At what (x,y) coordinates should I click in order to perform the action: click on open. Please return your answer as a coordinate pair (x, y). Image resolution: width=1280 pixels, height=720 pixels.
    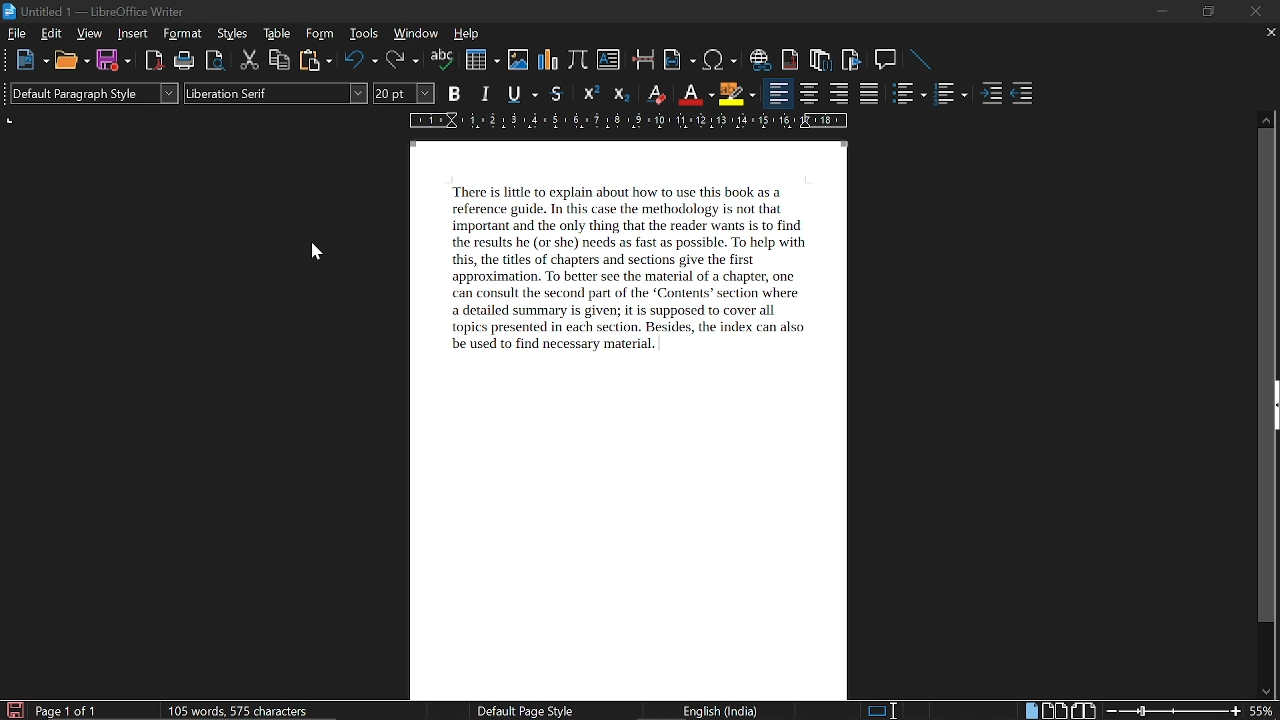
    Looking at the image, I should click on (70, 60).